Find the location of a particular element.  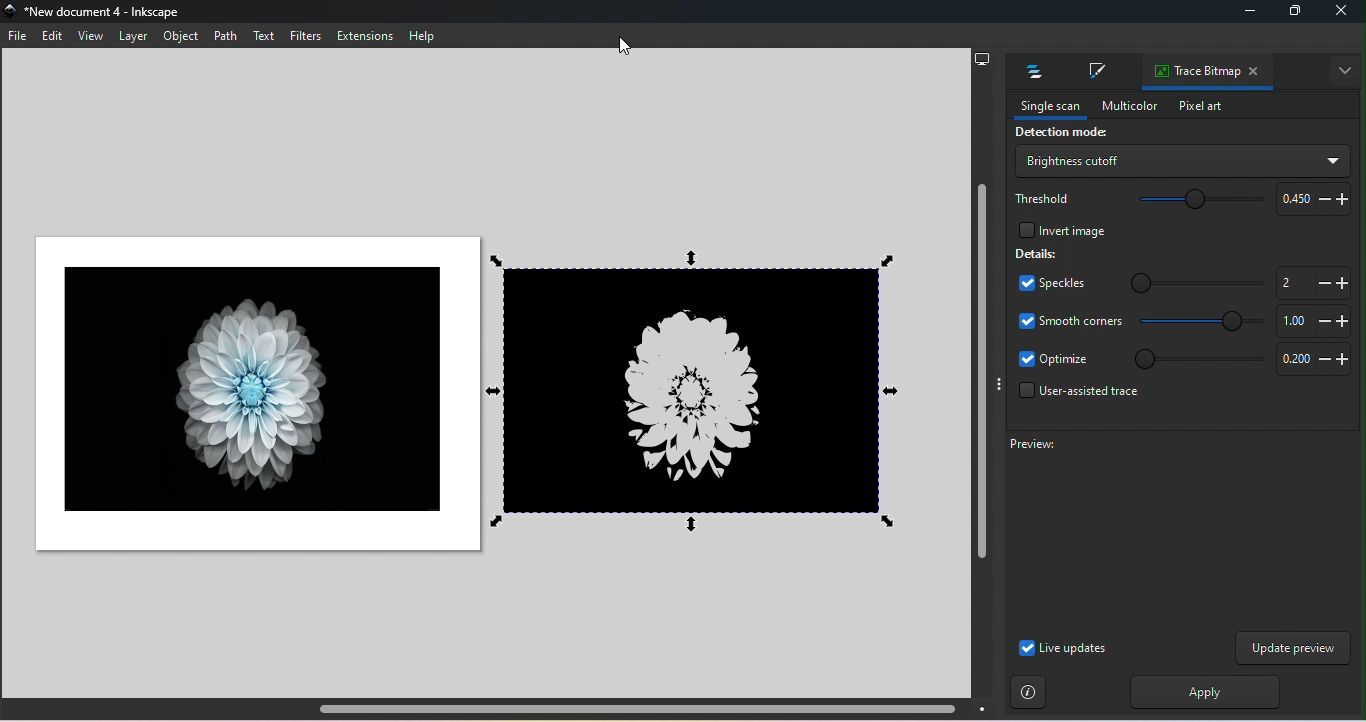

Speckles is located at coordinates (1046, 285).